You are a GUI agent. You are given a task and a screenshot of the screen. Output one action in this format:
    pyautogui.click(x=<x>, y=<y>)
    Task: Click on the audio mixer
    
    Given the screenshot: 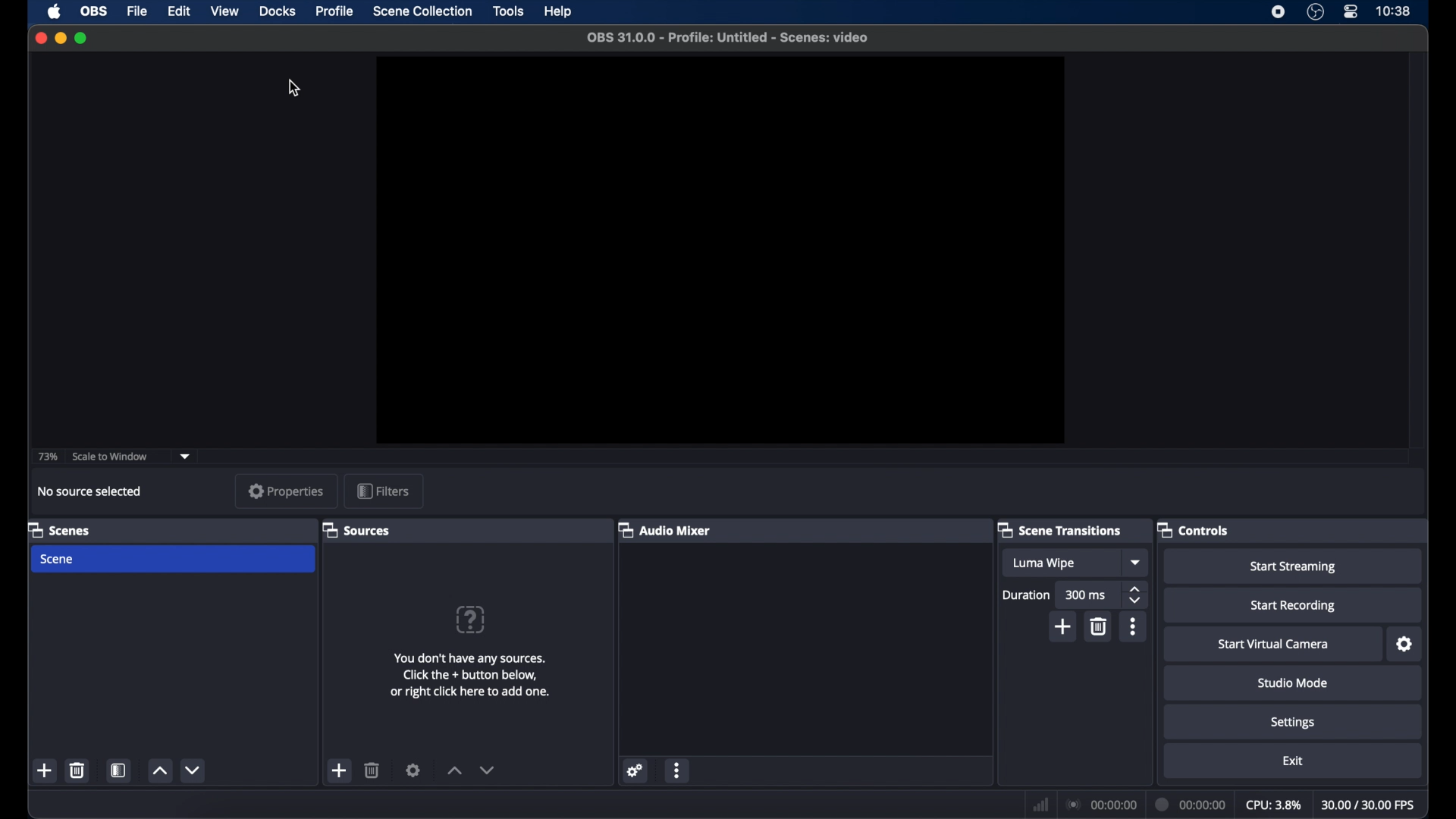 What is the action you would take?
    pyautogui.click(x=666, y=531)
    